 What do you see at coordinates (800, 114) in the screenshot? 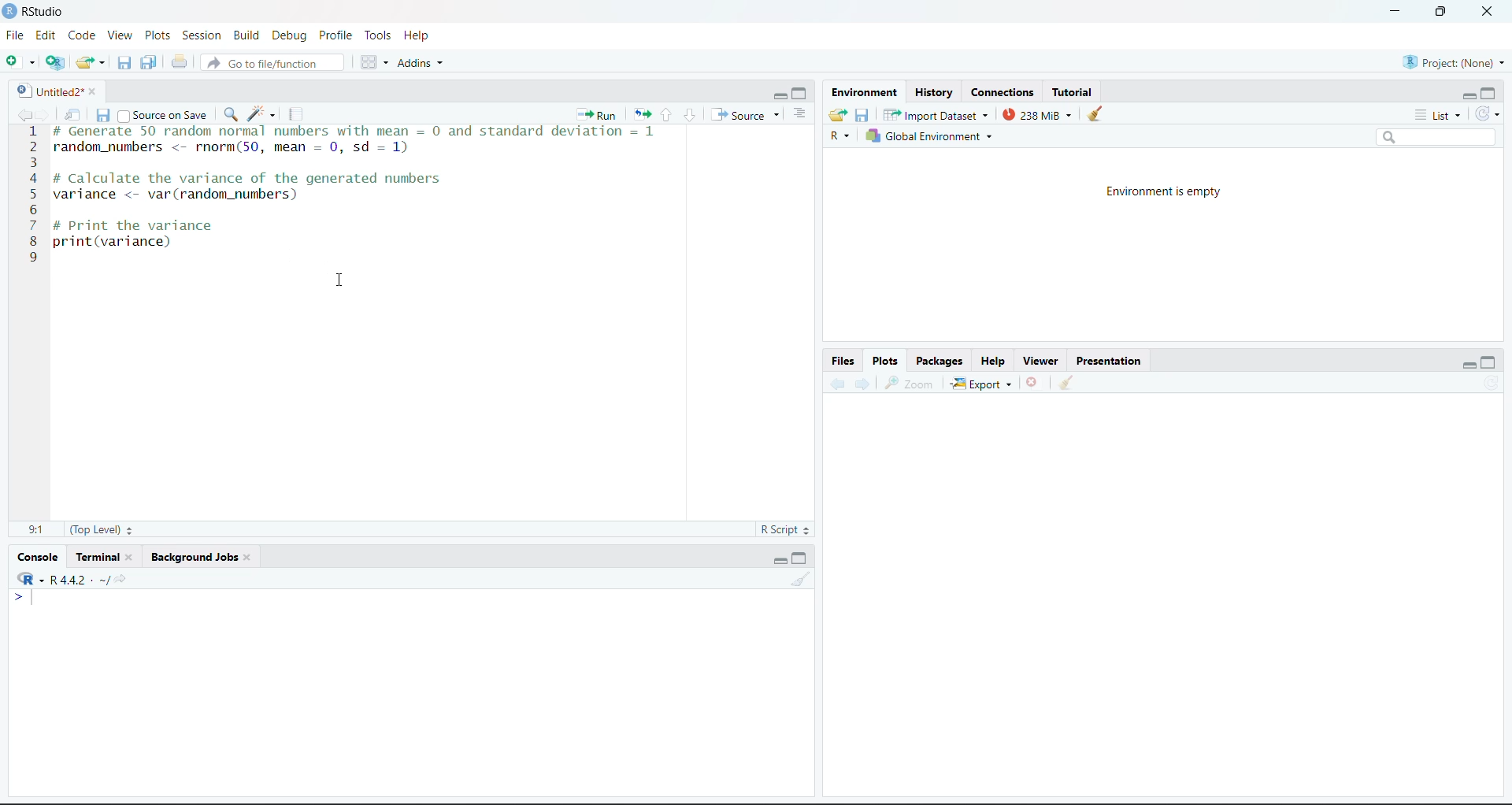
I see `options` at bounding box center [800, 114].